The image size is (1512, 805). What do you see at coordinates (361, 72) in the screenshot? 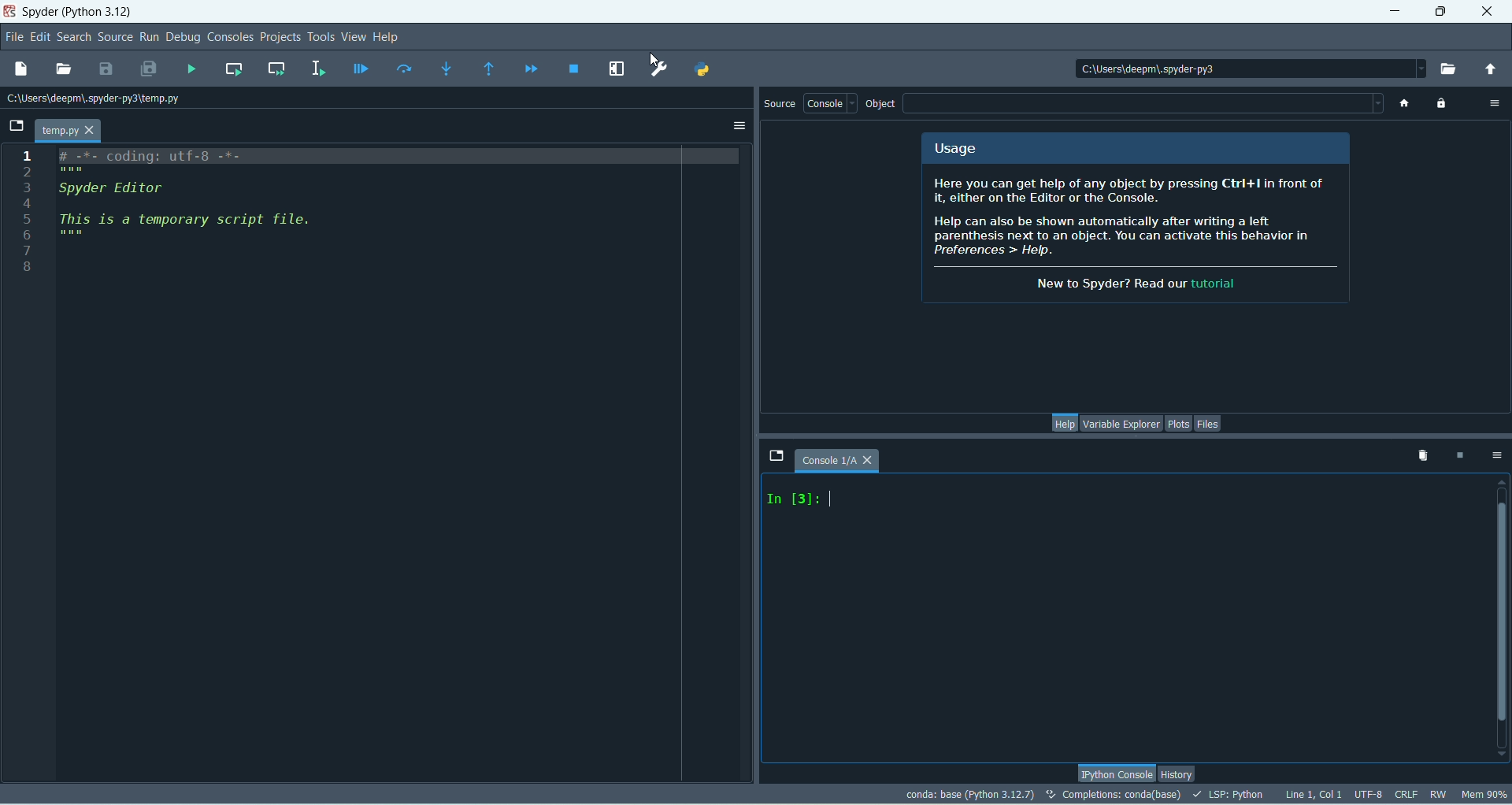
I see `debug file` at bounding box center [361, 72].